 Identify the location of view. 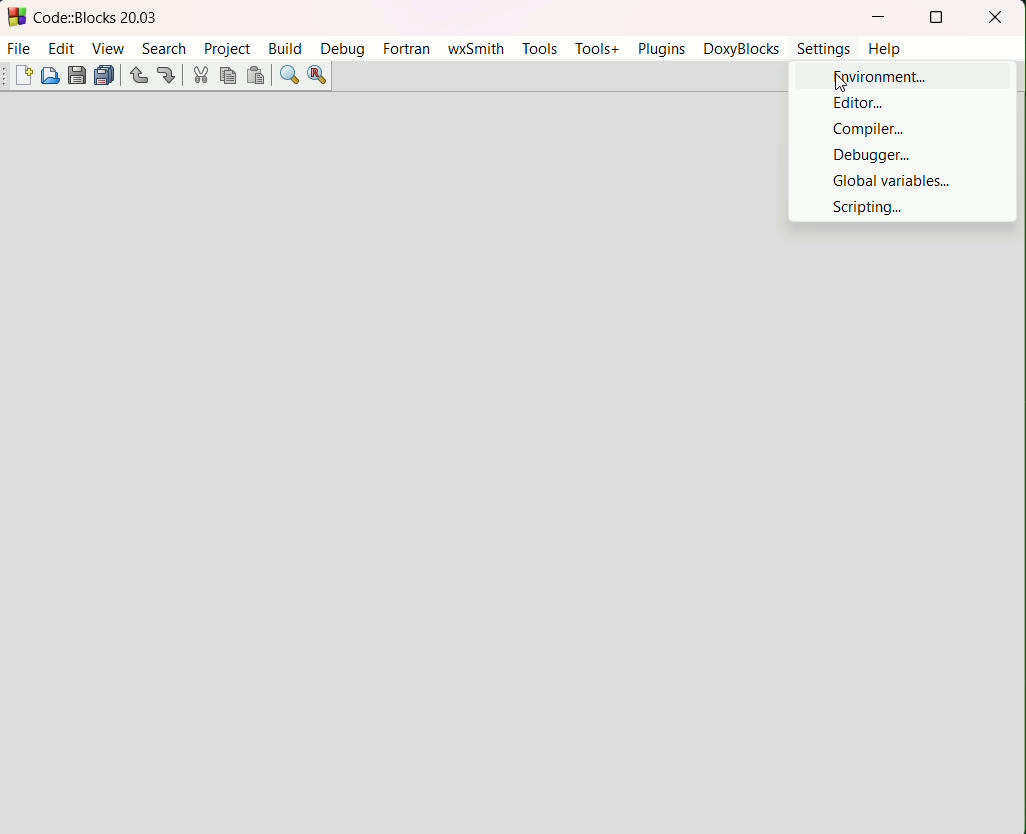
(108, 49).